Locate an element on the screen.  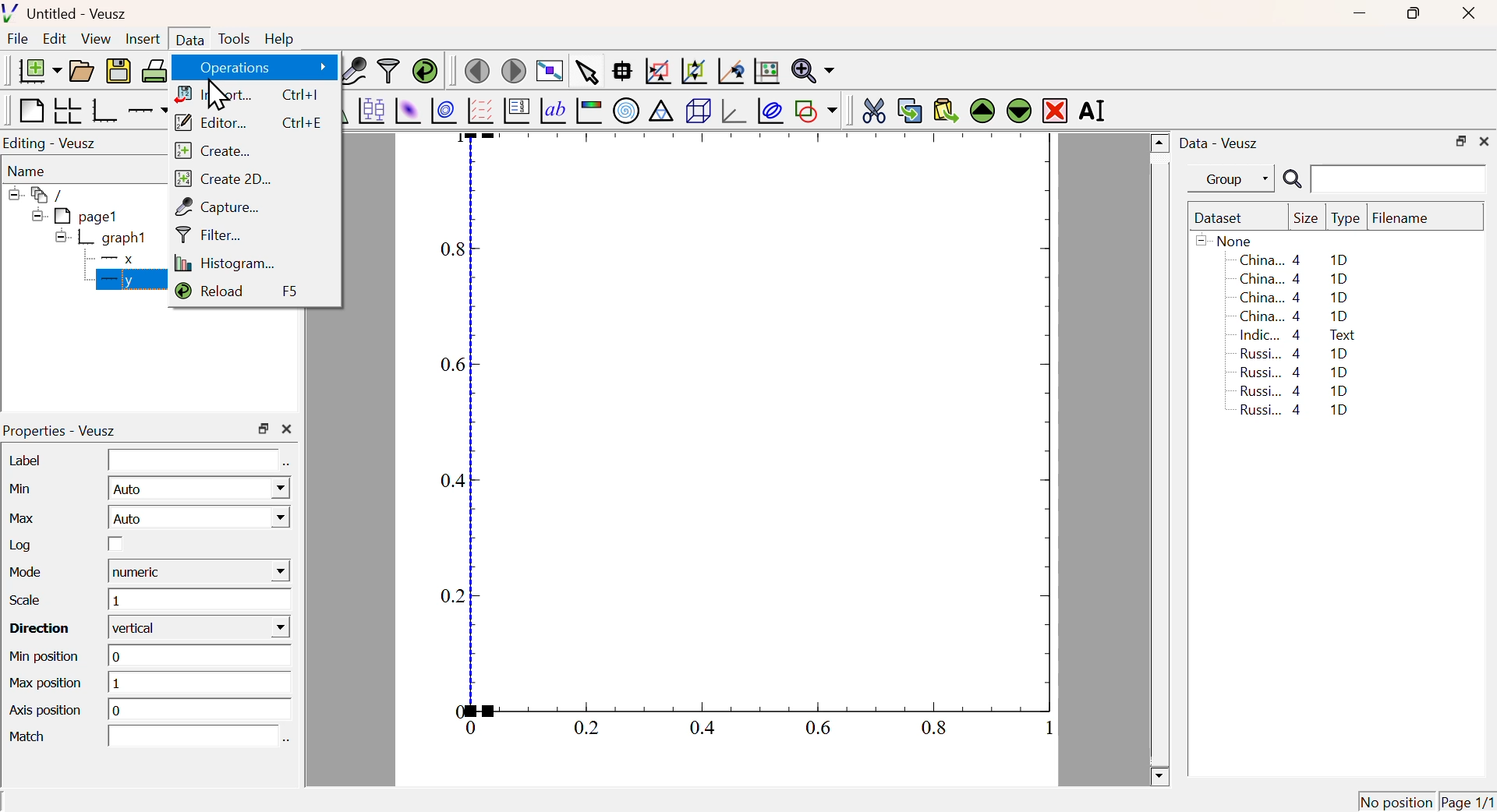
Rename is located at coordinates (1095, 110).